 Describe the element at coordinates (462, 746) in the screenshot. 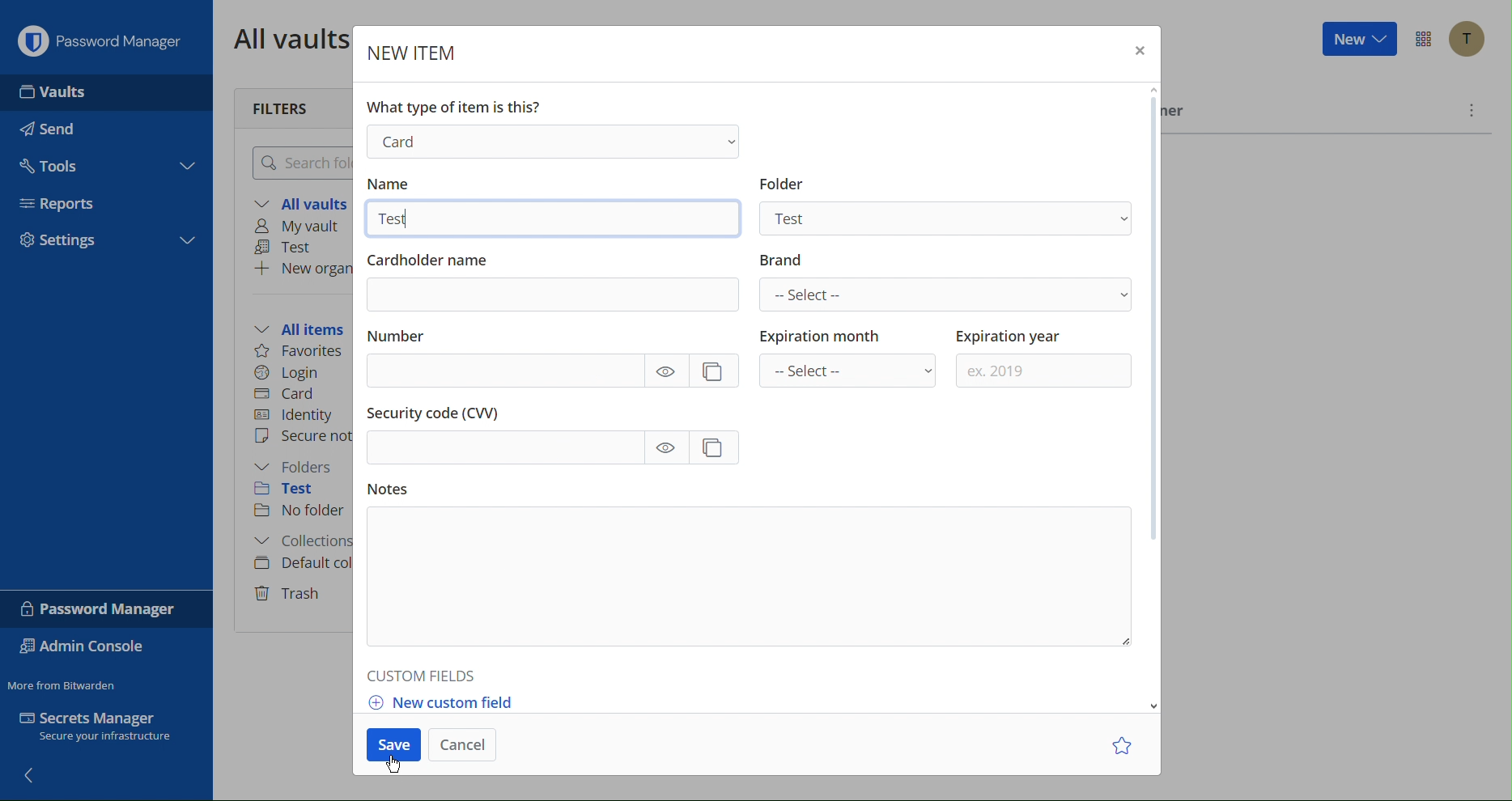

I see `Cancel` at that location.